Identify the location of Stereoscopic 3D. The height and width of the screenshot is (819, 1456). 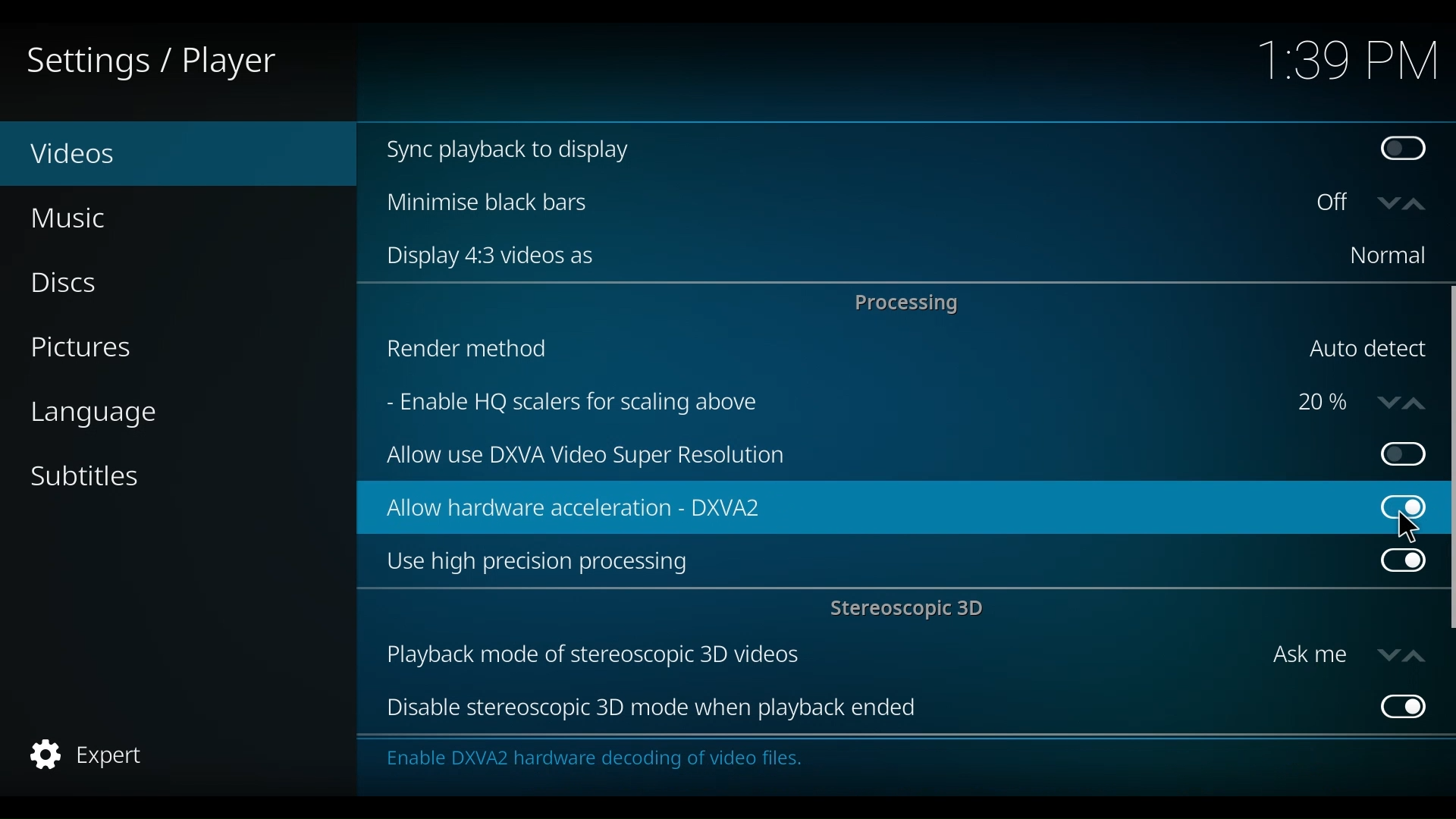
(911, 610).